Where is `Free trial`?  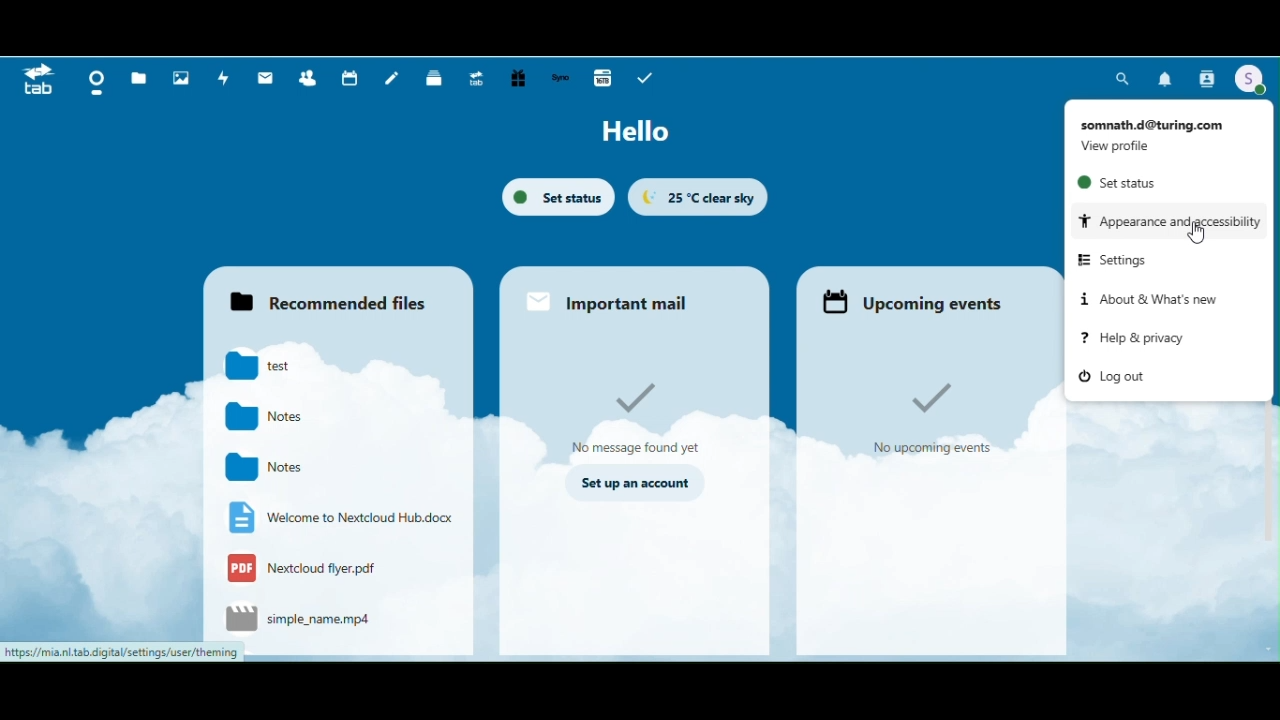
Free trial is located at coordinates (520, 78).